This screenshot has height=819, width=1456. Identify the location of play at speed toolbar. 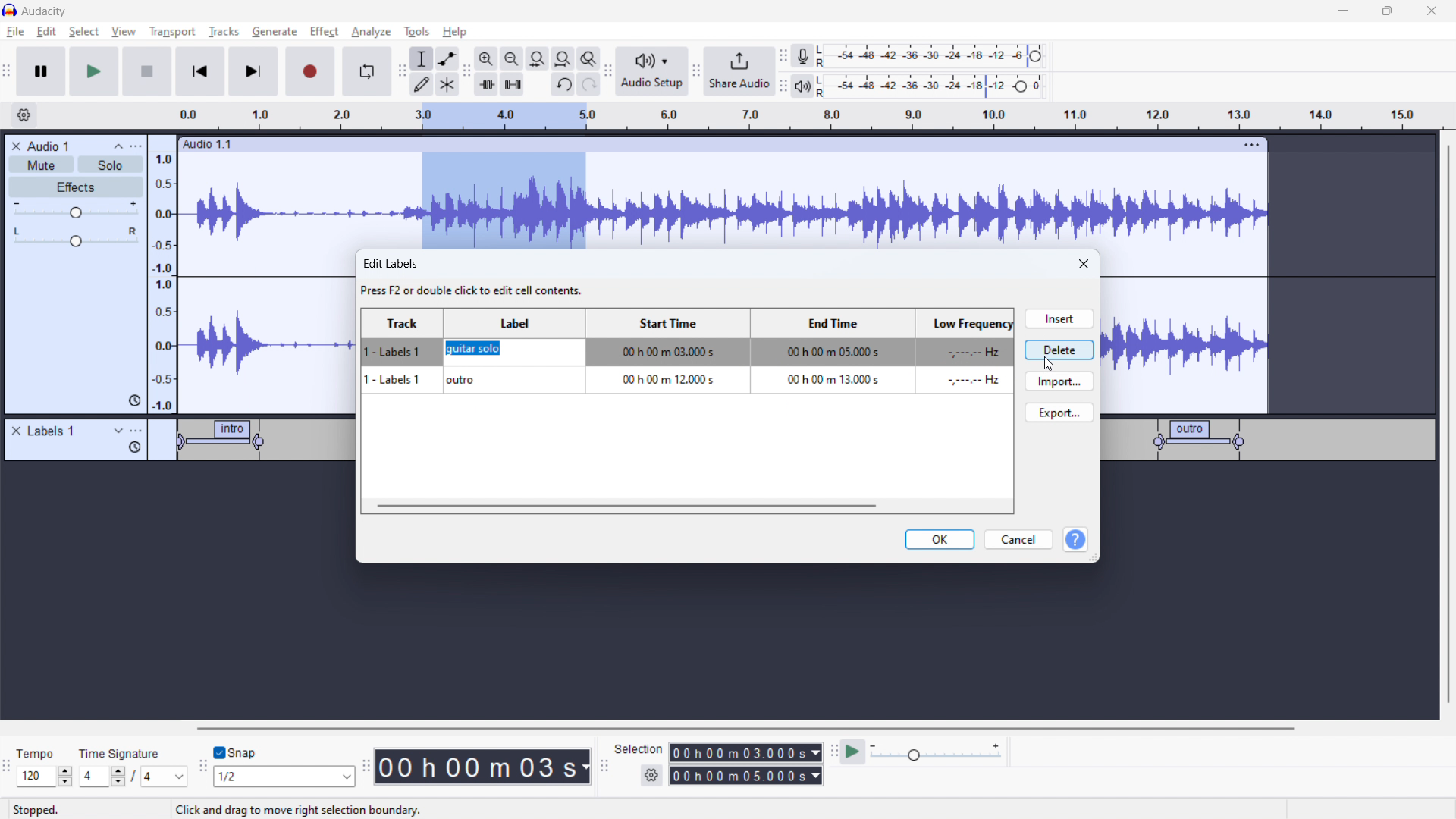
(833, 753).